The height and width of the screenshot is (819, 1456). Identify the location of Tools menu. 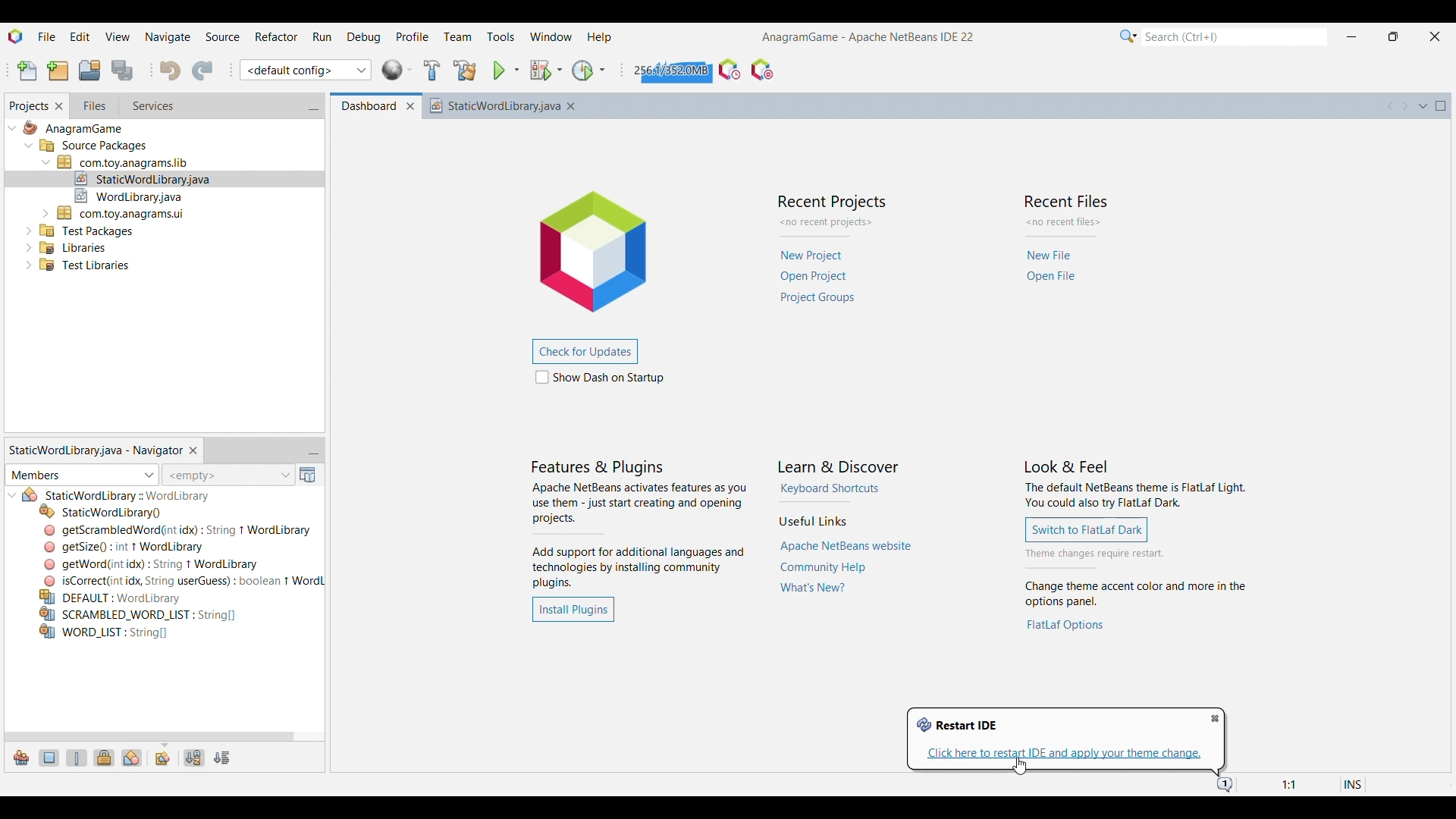
(500, 36).